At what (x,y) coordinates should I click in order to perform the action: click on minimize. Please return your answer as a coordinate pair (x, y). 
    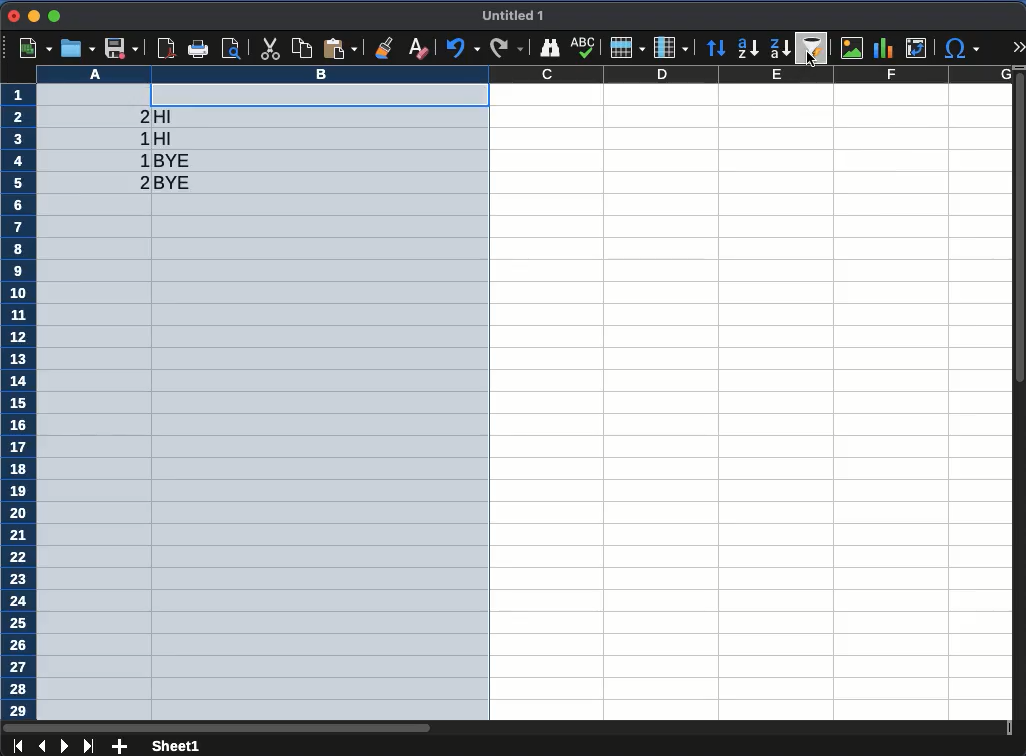
    Looking at the image, I should click on (33, 15).